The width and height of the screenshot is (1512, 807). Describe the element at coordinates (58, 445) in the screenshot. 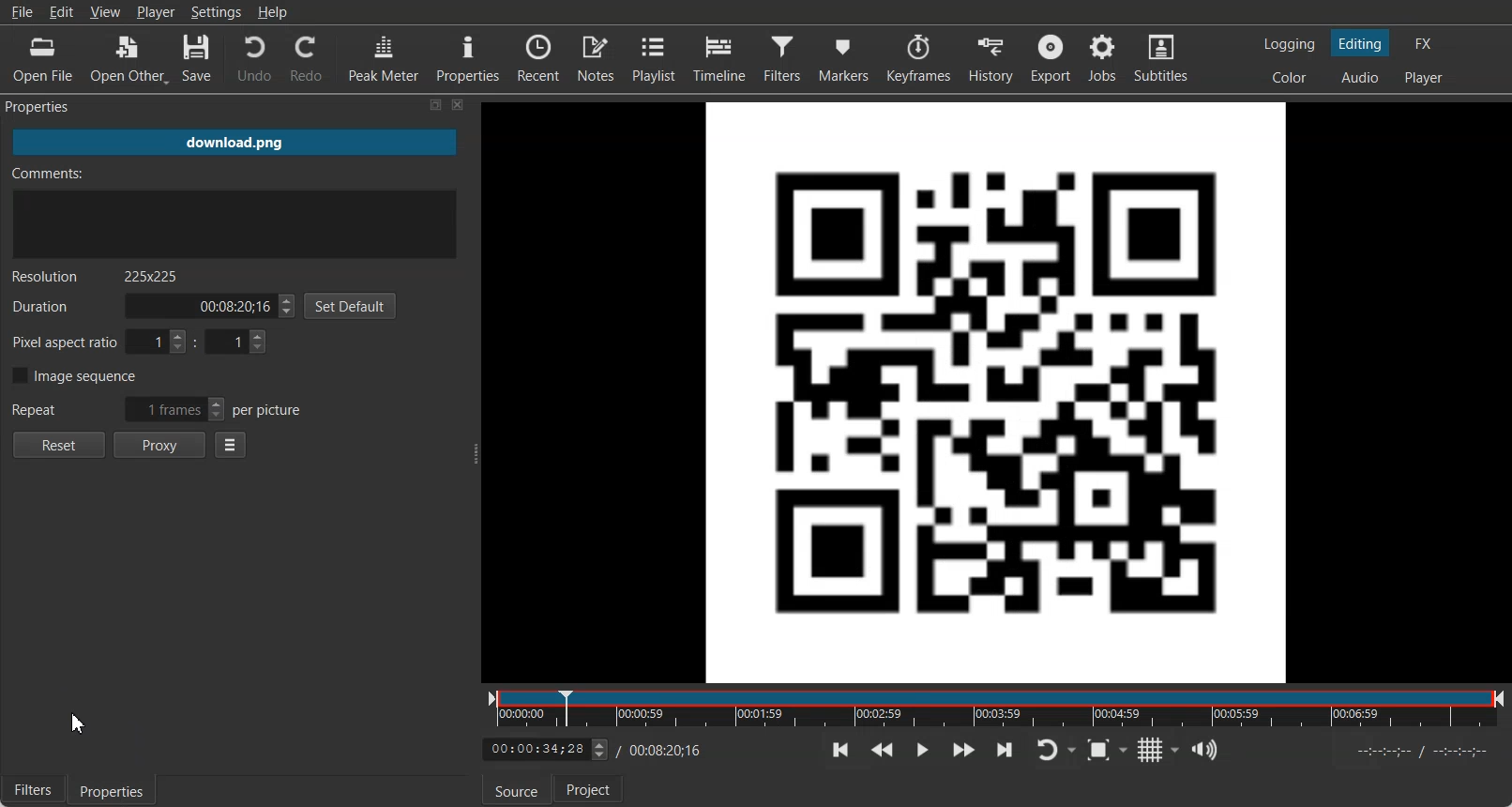

I see `Reset` at that location.